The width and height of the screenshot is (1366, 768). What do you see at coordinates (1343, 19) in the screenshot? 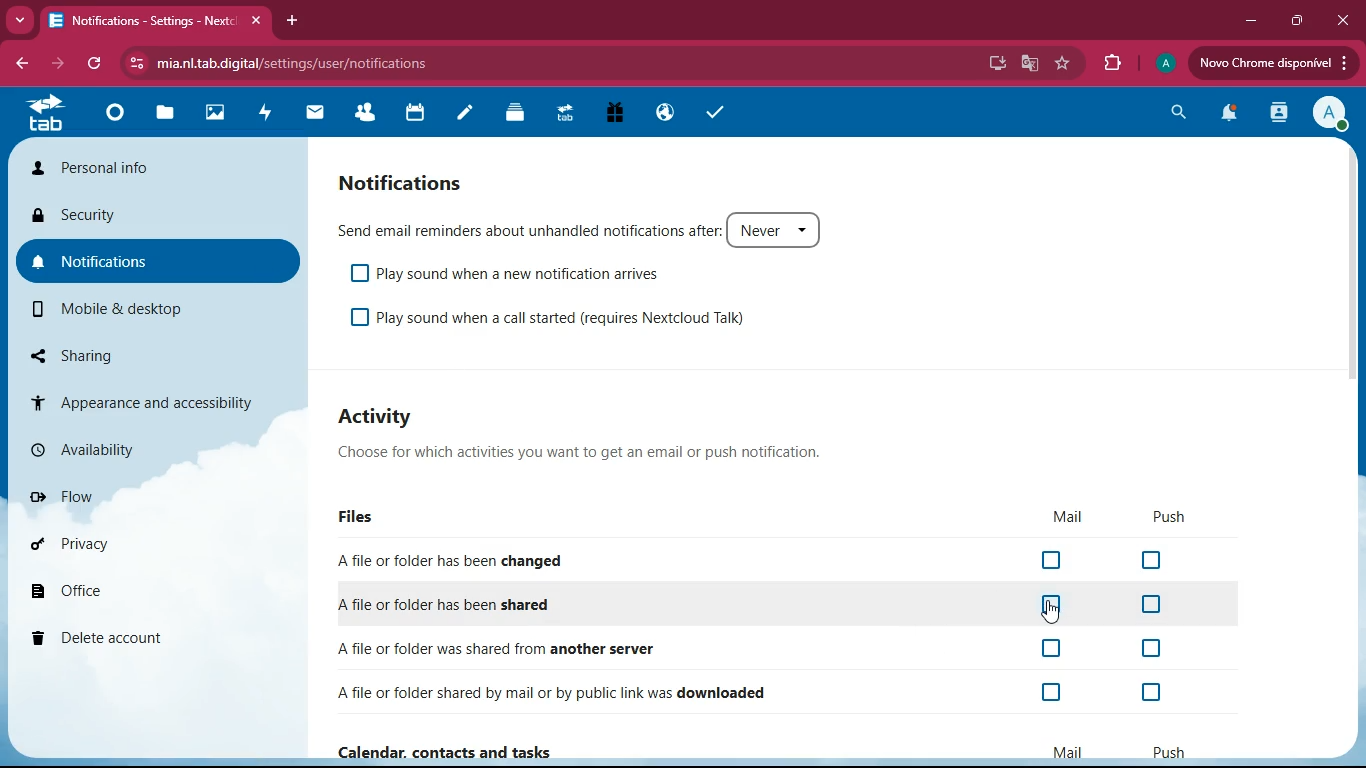
I see `close` at bounding box center [1343, 19].